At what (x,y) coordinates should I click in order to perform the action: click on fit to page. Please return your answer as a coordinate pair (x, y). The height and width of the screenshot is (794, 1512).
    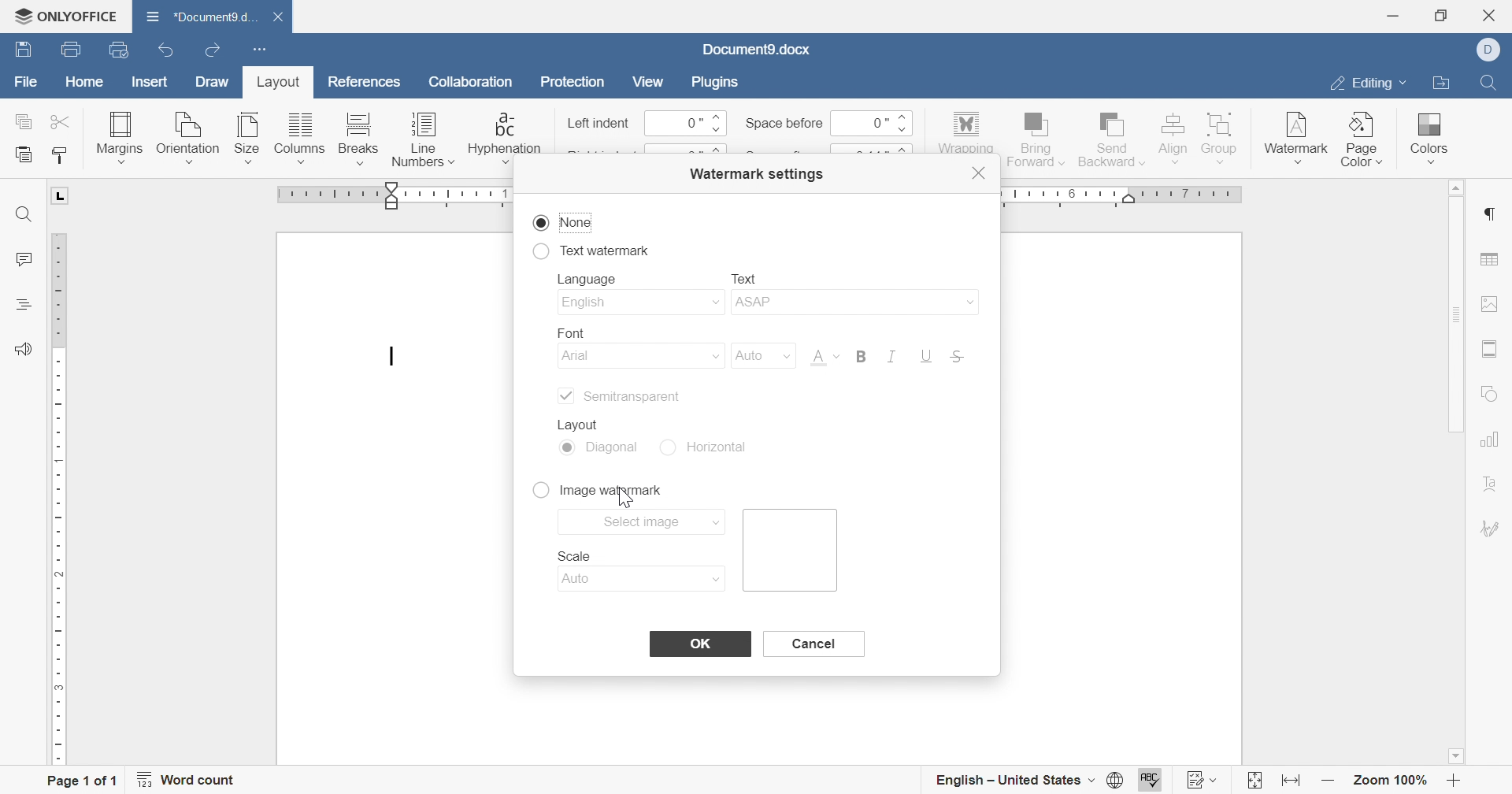
    Looking at the image, I should click on (1253, 783).